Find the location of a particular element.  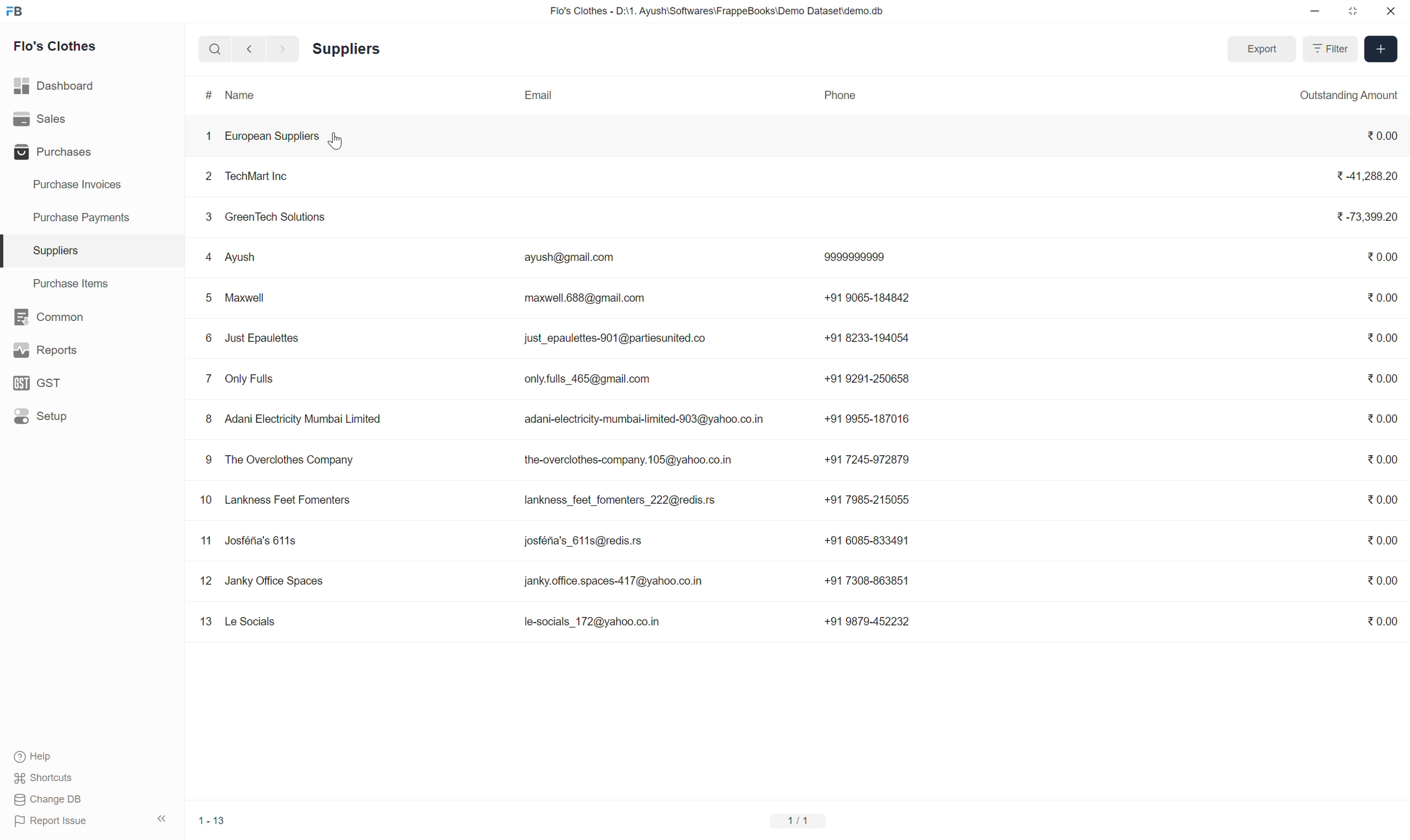

10 is located at coordinates (198, 499).